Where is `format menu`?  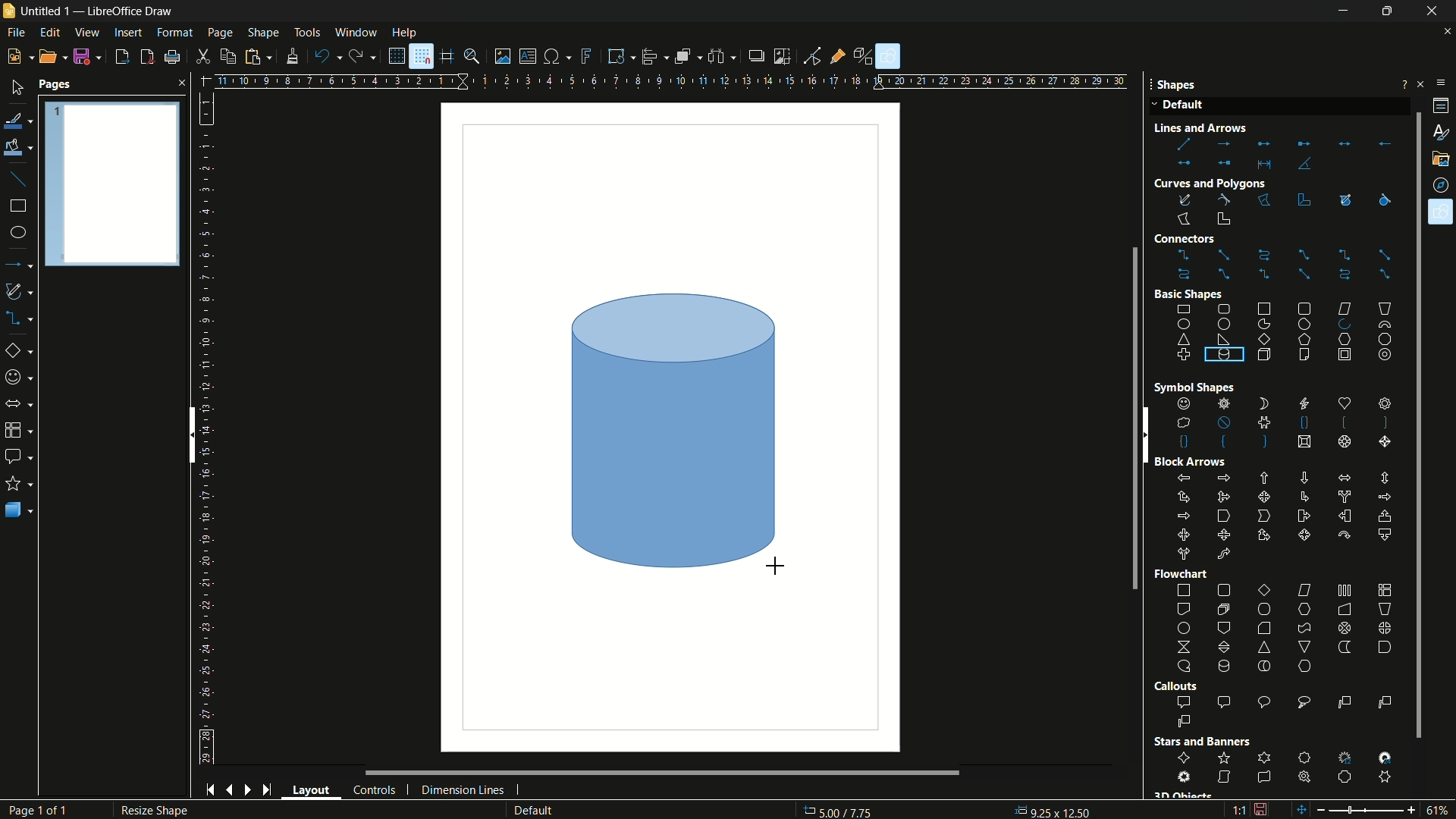 format menu is located at coordinates (174, 33).